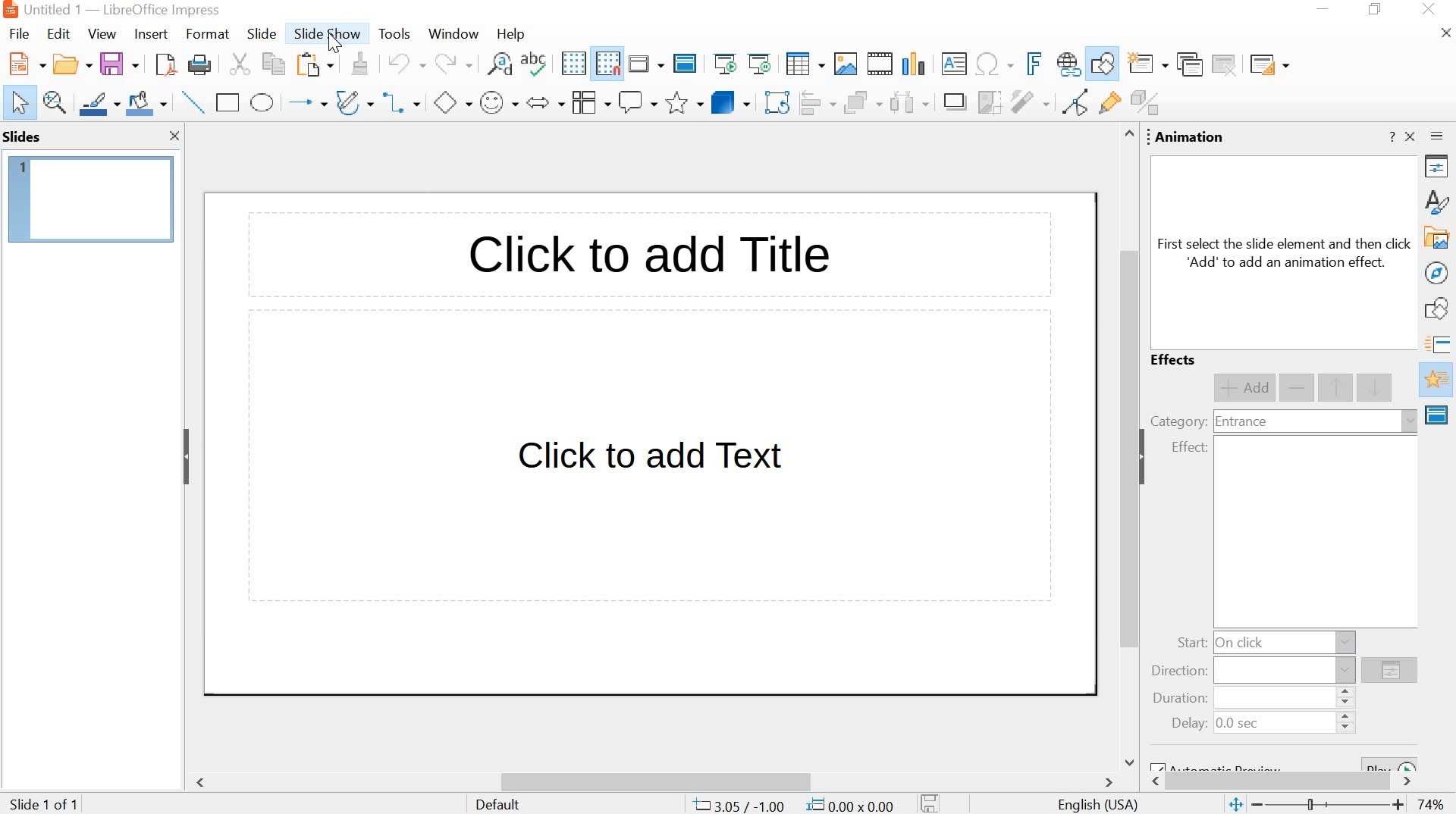  What do you see at coordinates (1430, 11) in the screenshot?
I see `close app` at bounding box center [1430, 11].